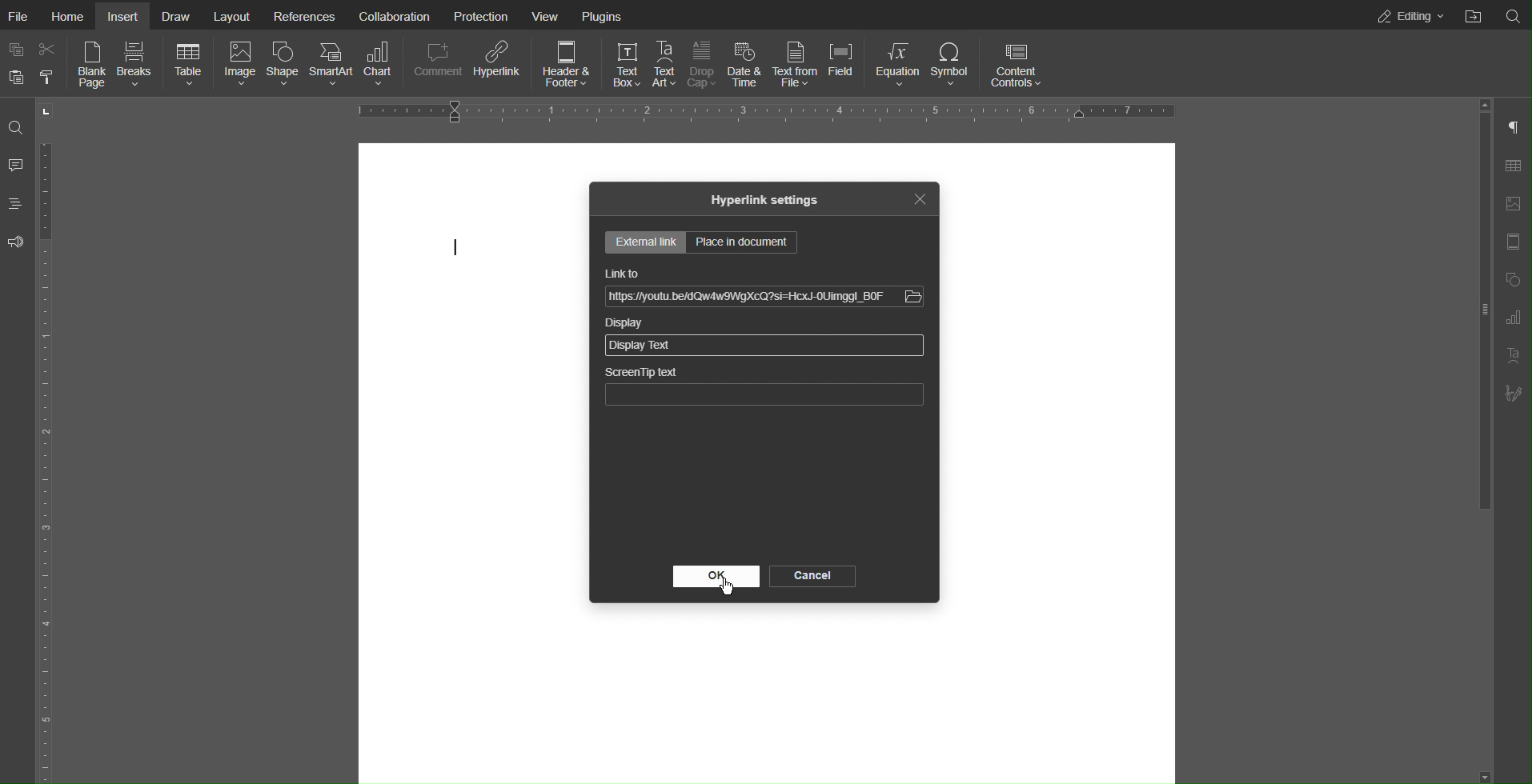 This screenshot has width=1532, height=784. Describe the element at coordinates (497, 64) in the screenshot. I see `Hyperlink` at that location.